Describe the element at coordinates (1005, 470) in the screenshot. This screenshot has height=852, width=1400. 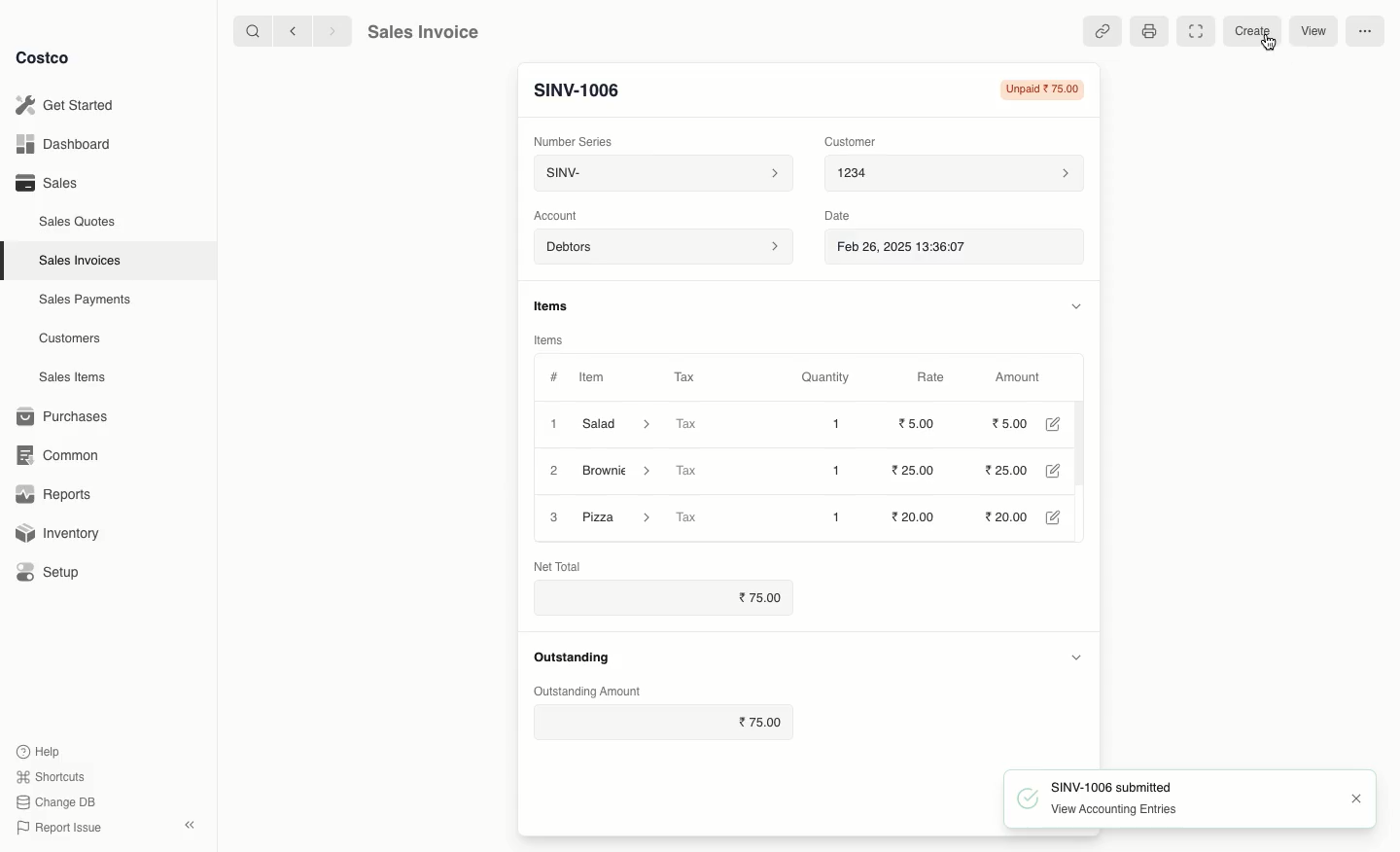
I see `25.00` at that location.